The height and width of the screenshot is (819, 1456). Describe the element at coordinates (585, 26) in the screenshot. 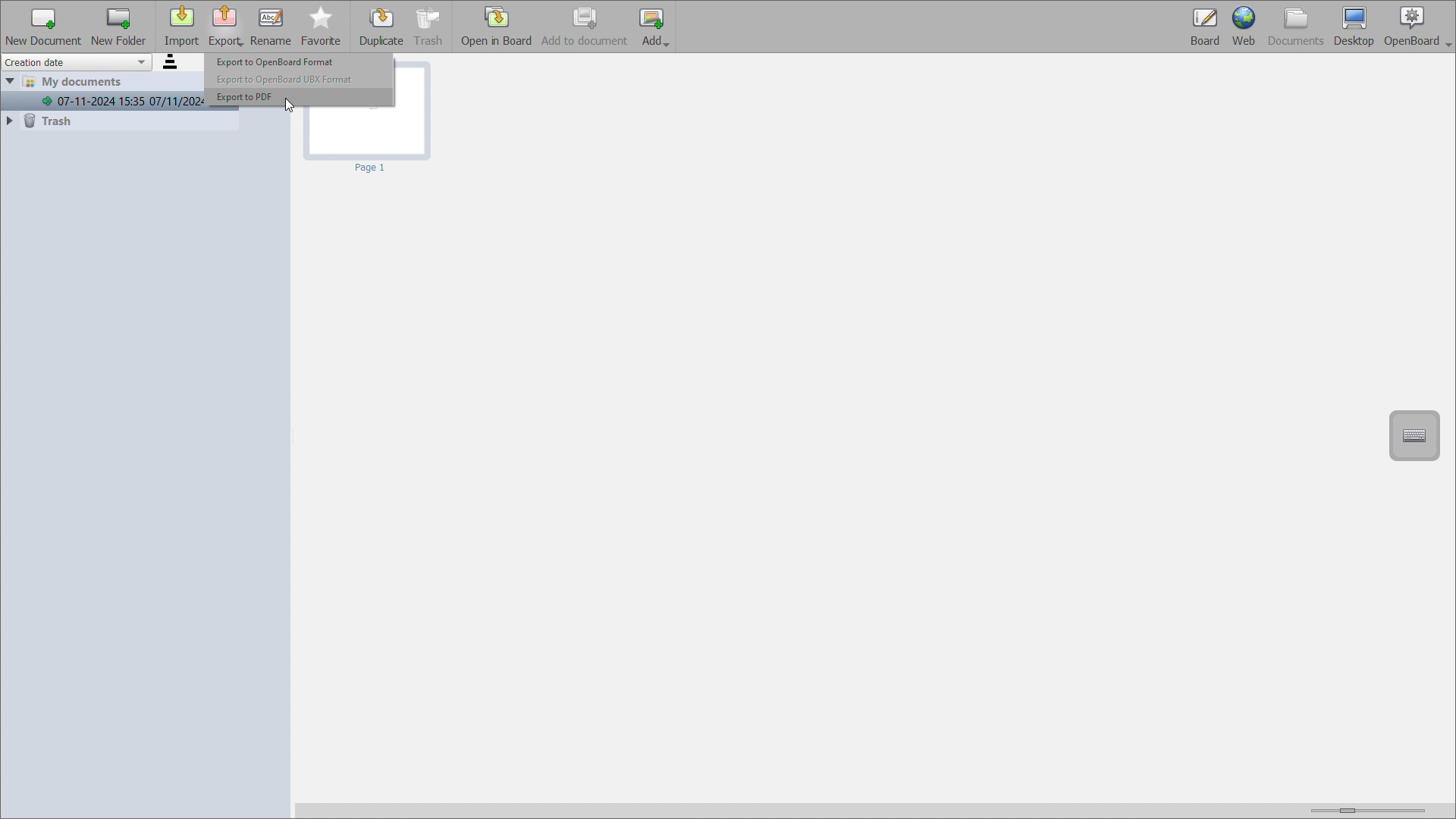

I see `add to document` at that location.